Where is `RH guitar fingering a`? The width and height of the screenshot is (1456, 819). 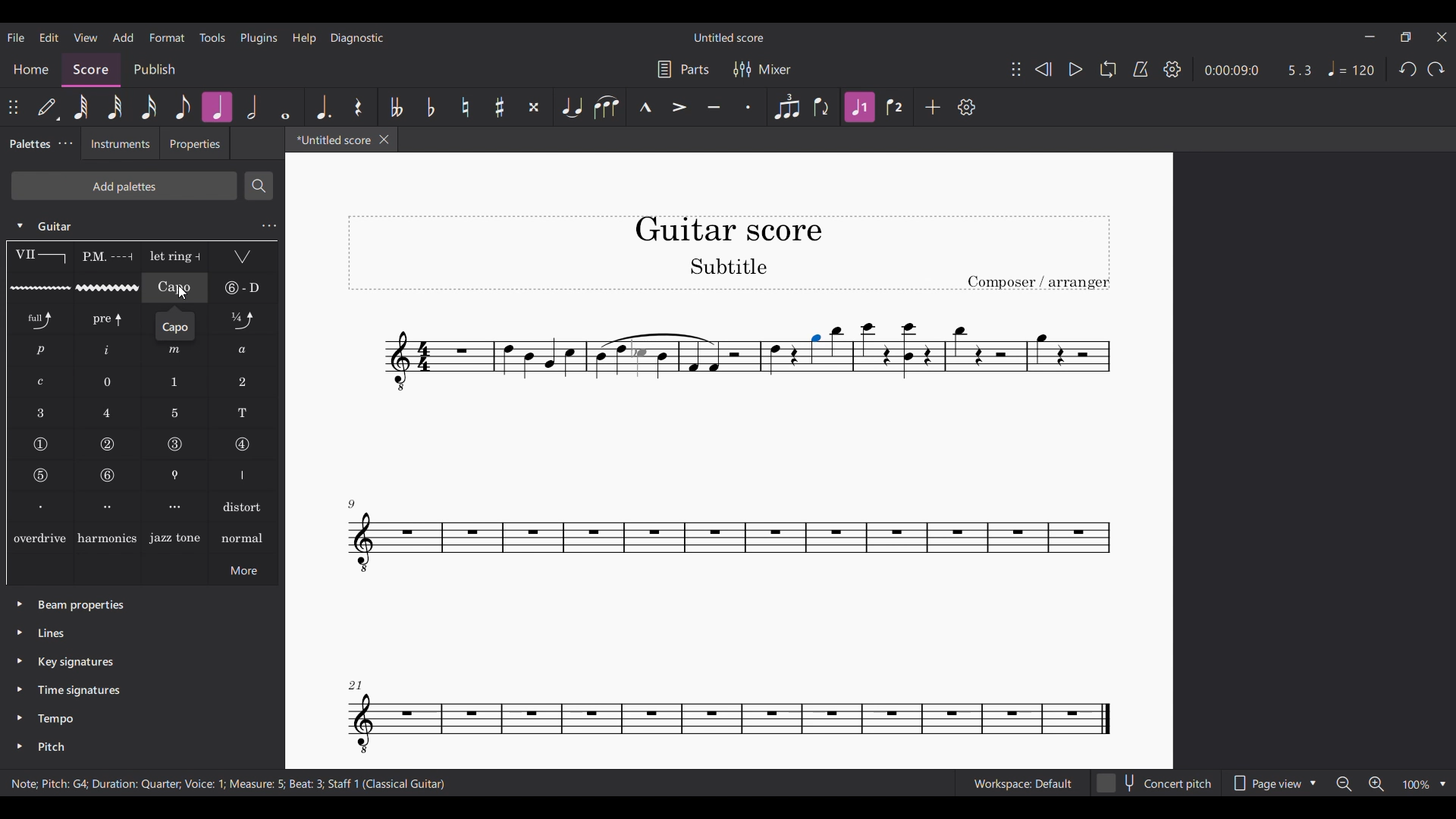
RH guitar fingering a is located at coordinates (243, 350).